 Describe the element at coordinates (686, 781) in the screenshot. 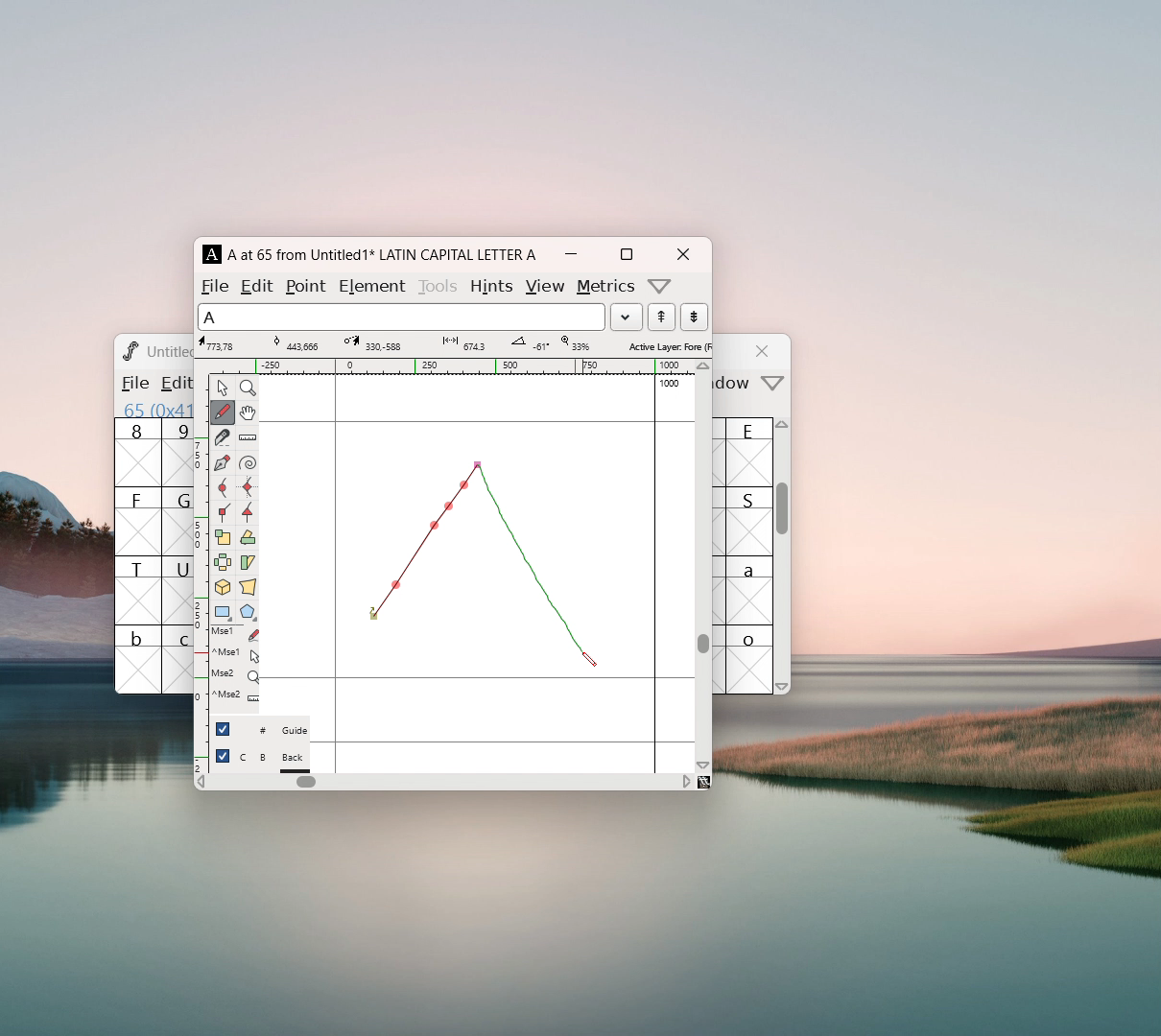

I see `scroll right` at that location.